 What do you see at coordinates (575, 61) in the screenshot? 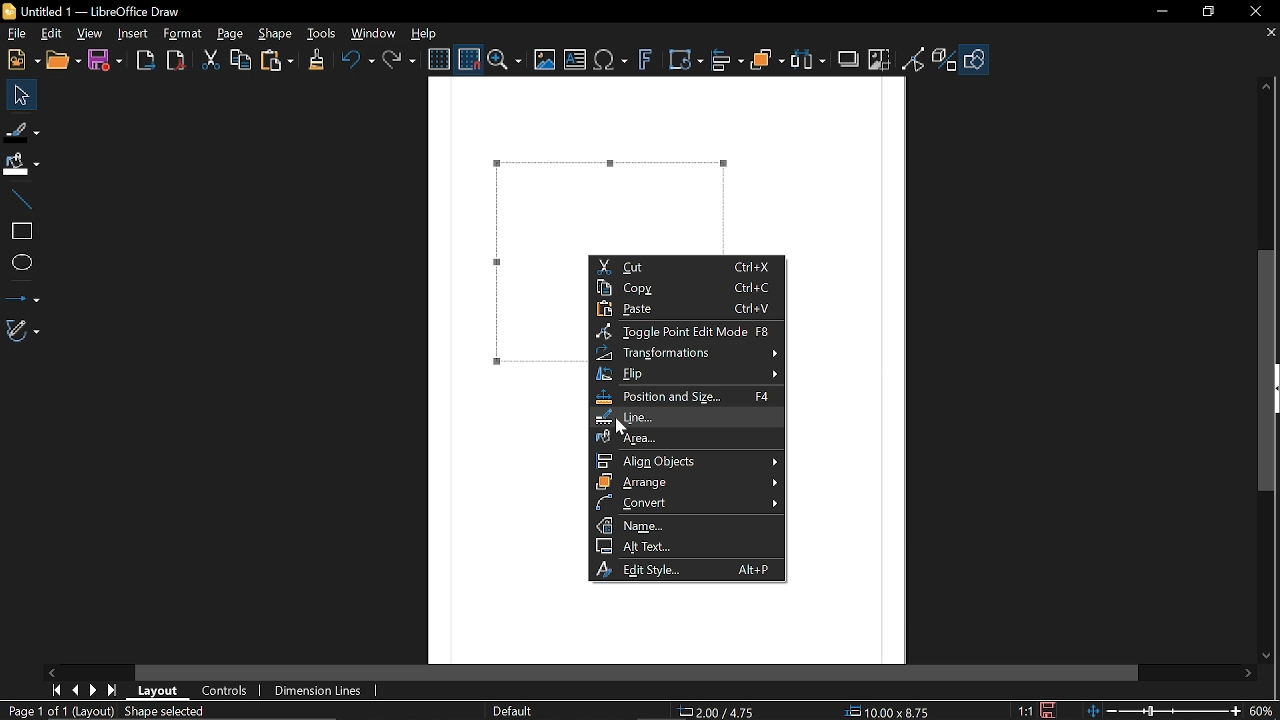
I see `insert text` at bounding box center [575, 61].